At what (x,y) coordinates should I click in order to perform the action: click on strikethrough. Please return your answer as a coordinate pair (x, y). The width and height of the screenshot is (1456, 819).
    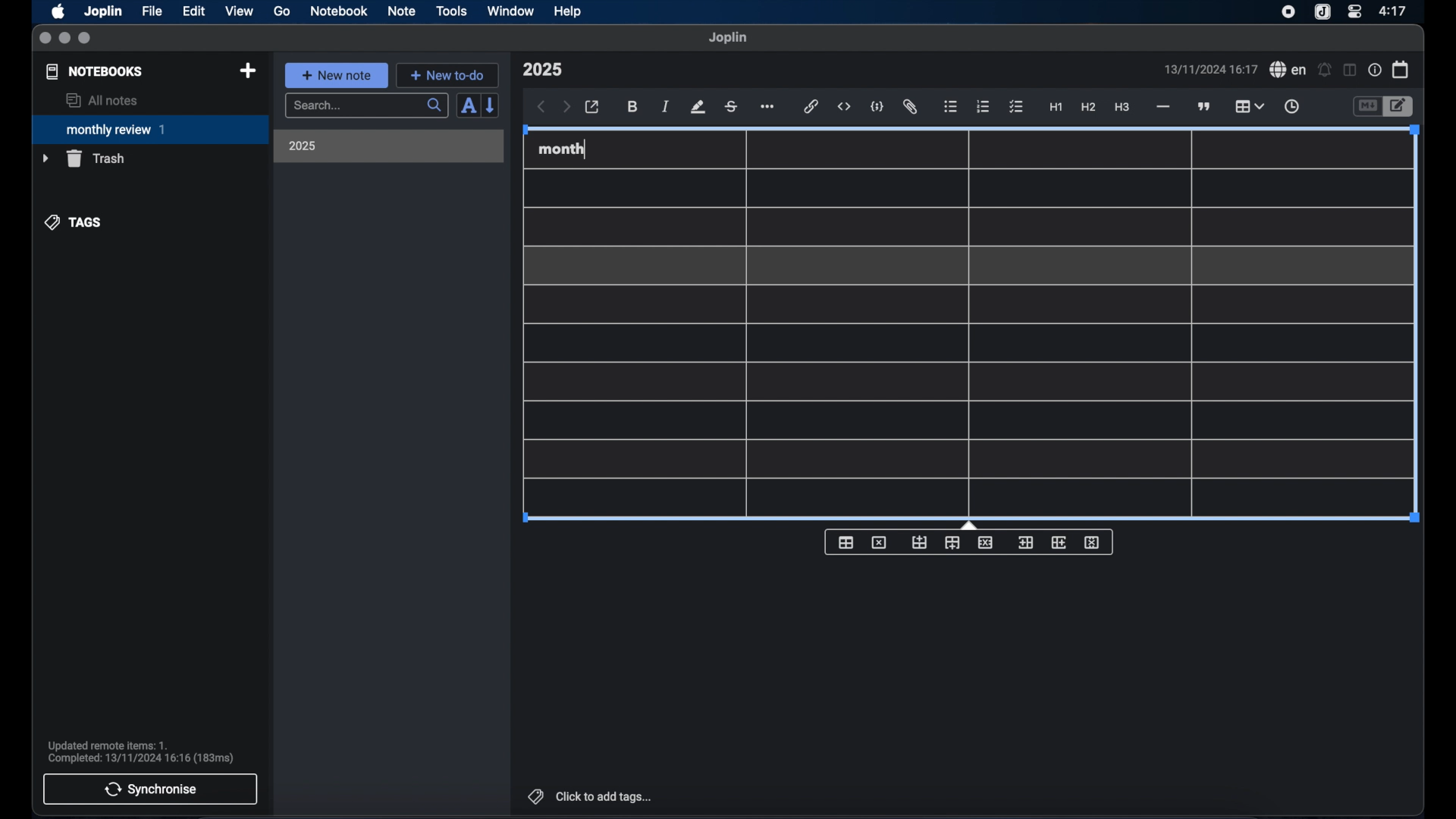
    Looking at the image, I should click on (730, 107).